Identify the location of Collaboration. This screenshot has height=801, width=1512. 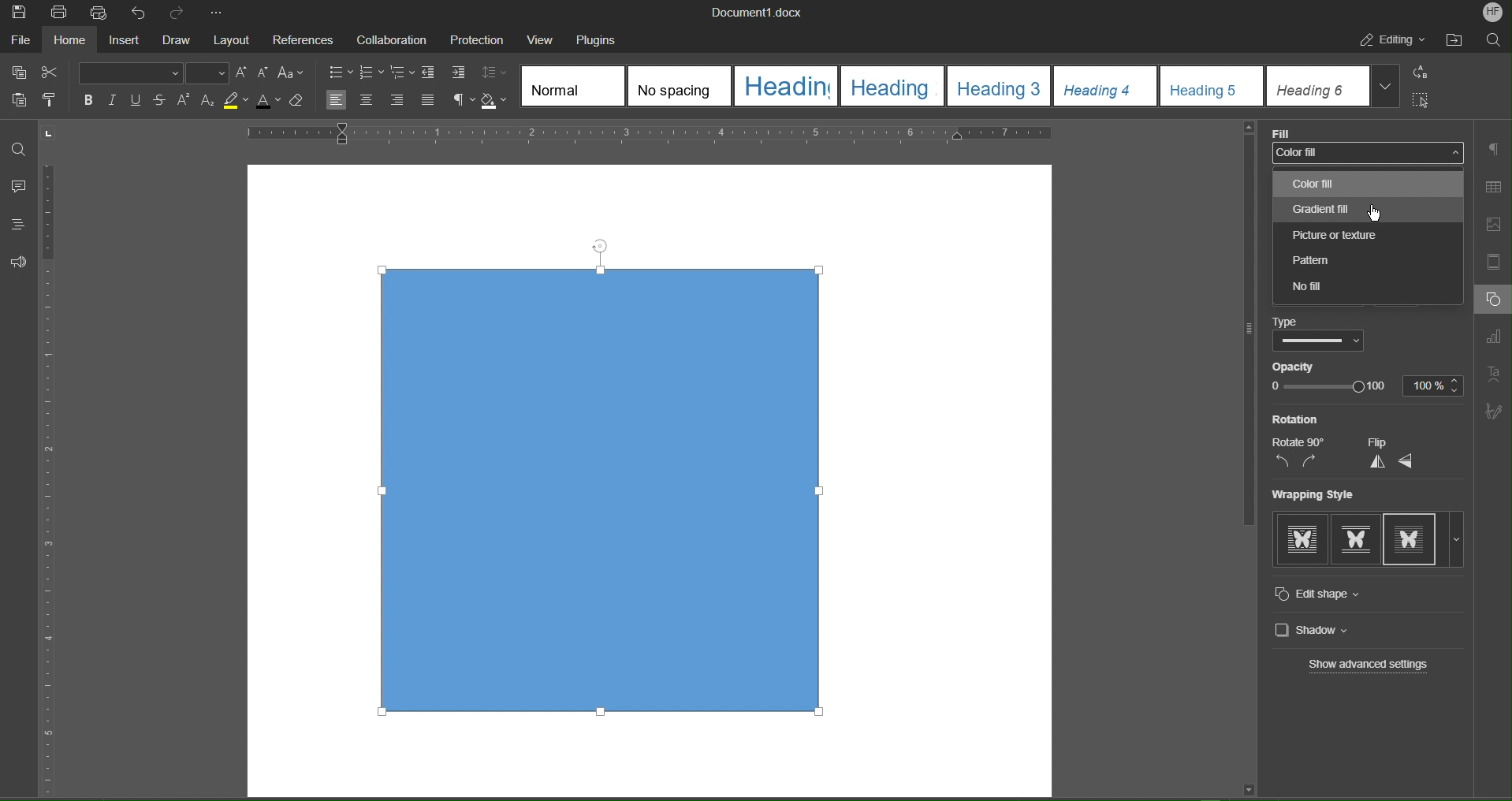
(393, 39).